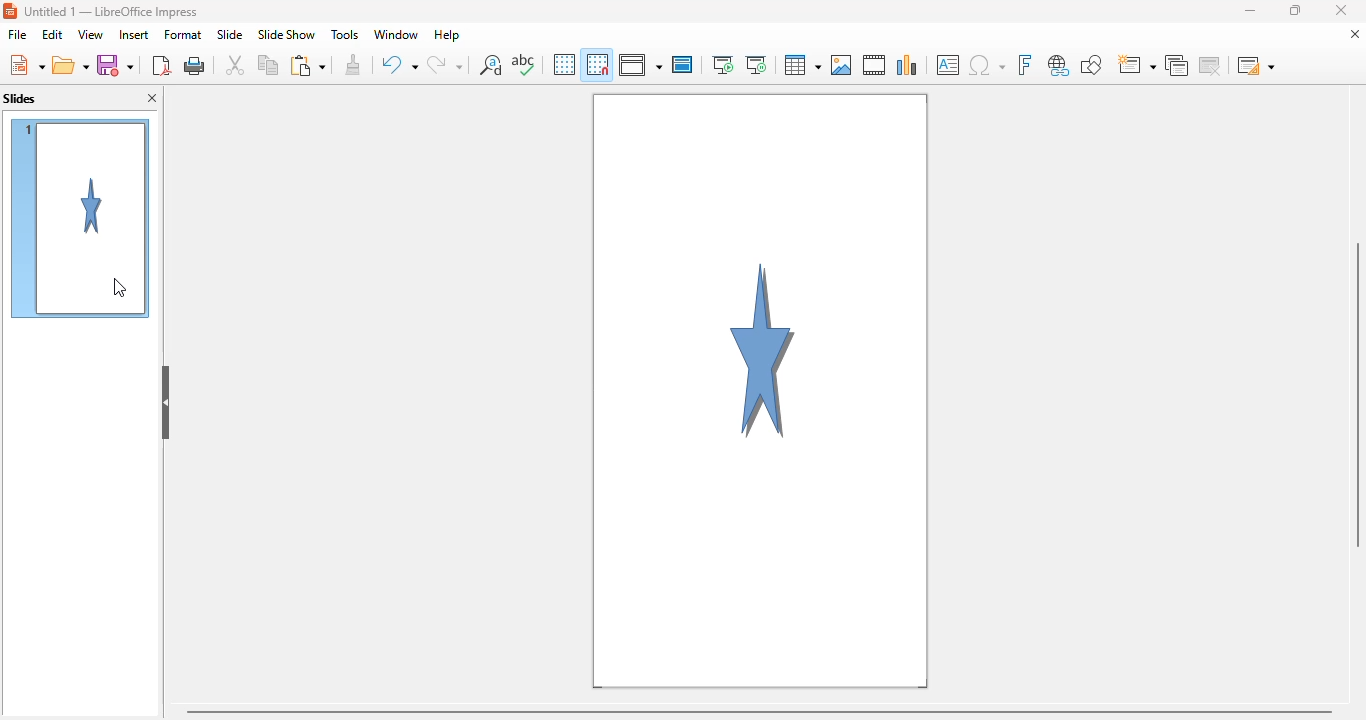  What do you see at coordinates (875, 65) in the screenshot?
I see `insert audio or video` at bounding box center [875, 65].